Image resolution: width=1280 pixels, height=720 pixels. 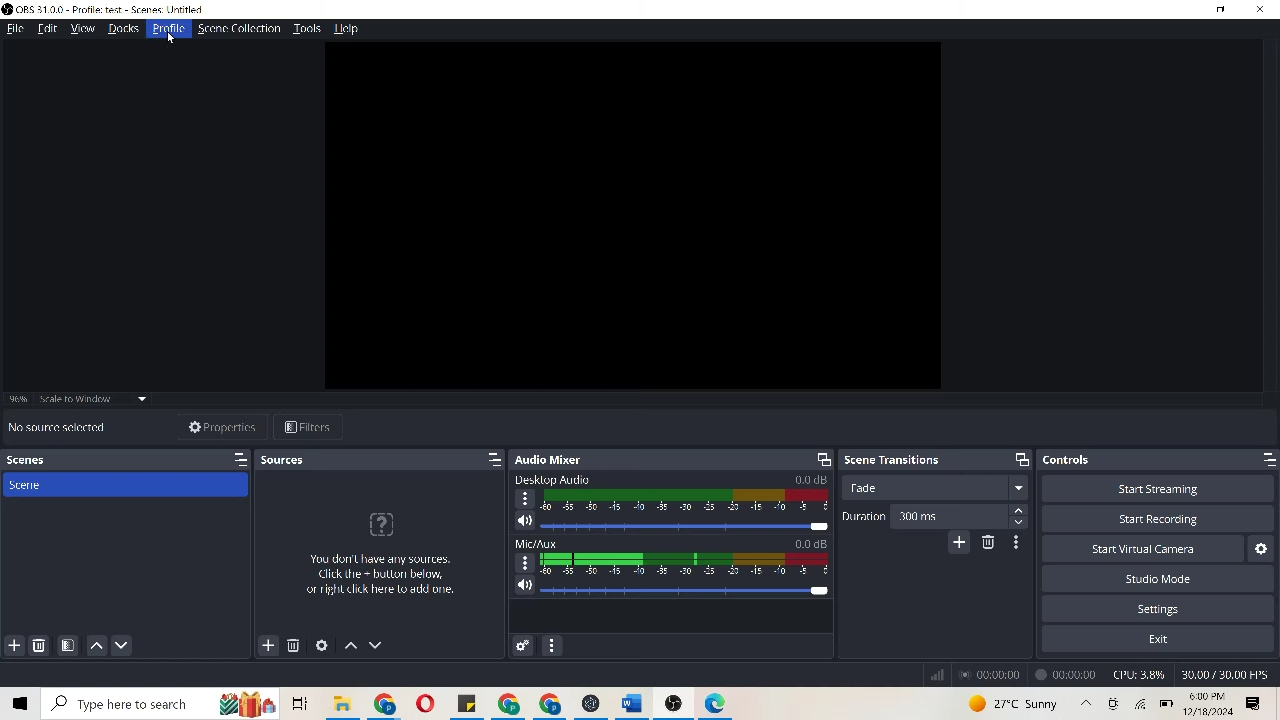 I want to click on wifi, so click(x=1141, y=705).